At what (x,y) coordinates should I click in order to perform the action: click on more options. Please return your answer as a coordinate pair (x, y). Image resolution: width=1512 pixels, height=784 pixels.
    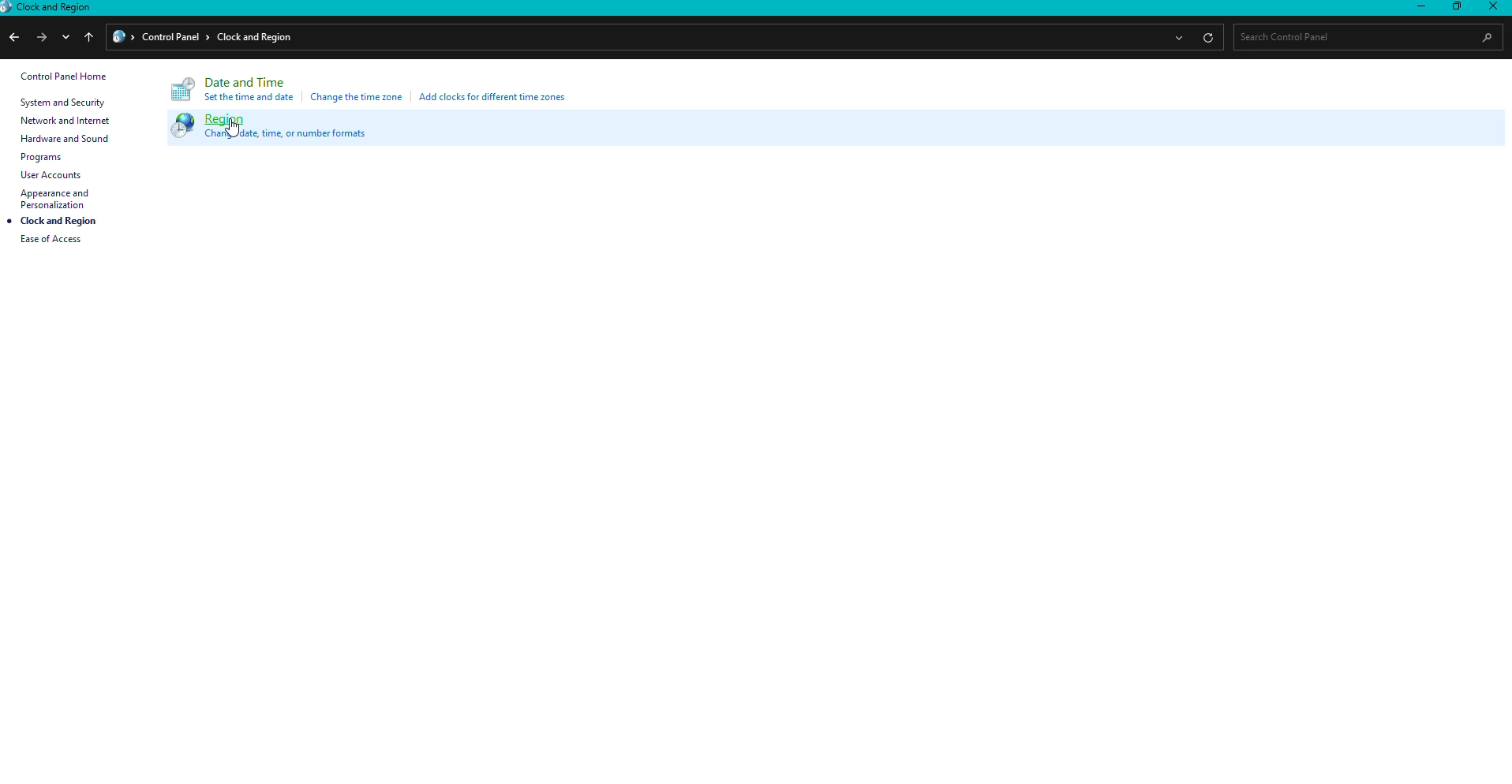
    Looking at the image, I should click on (1177, 39).